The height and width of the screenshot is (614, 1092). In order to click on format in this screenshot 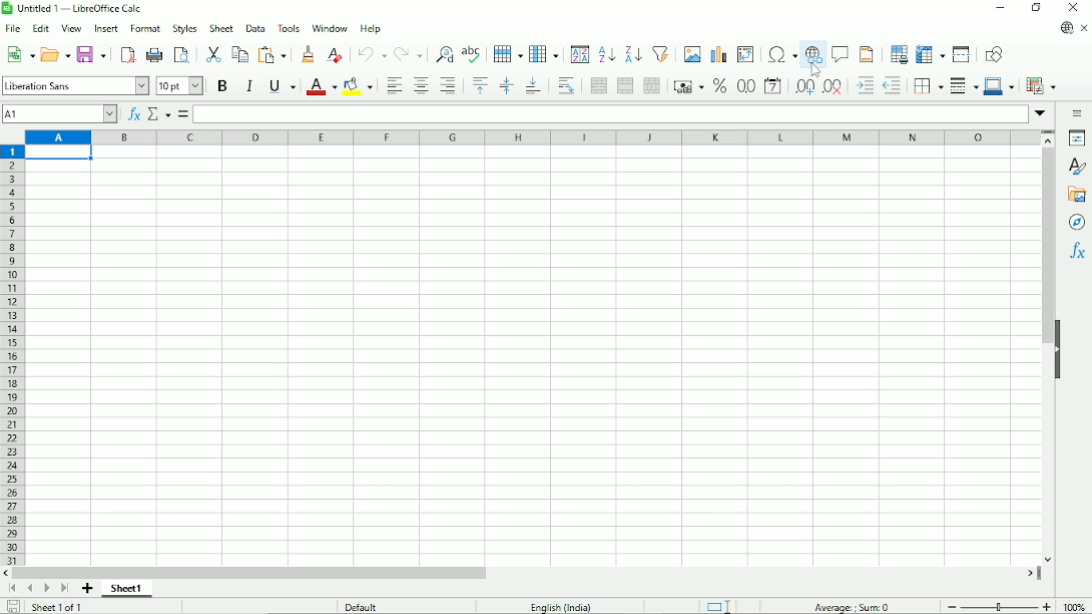, I will do `click(145, 26)`.